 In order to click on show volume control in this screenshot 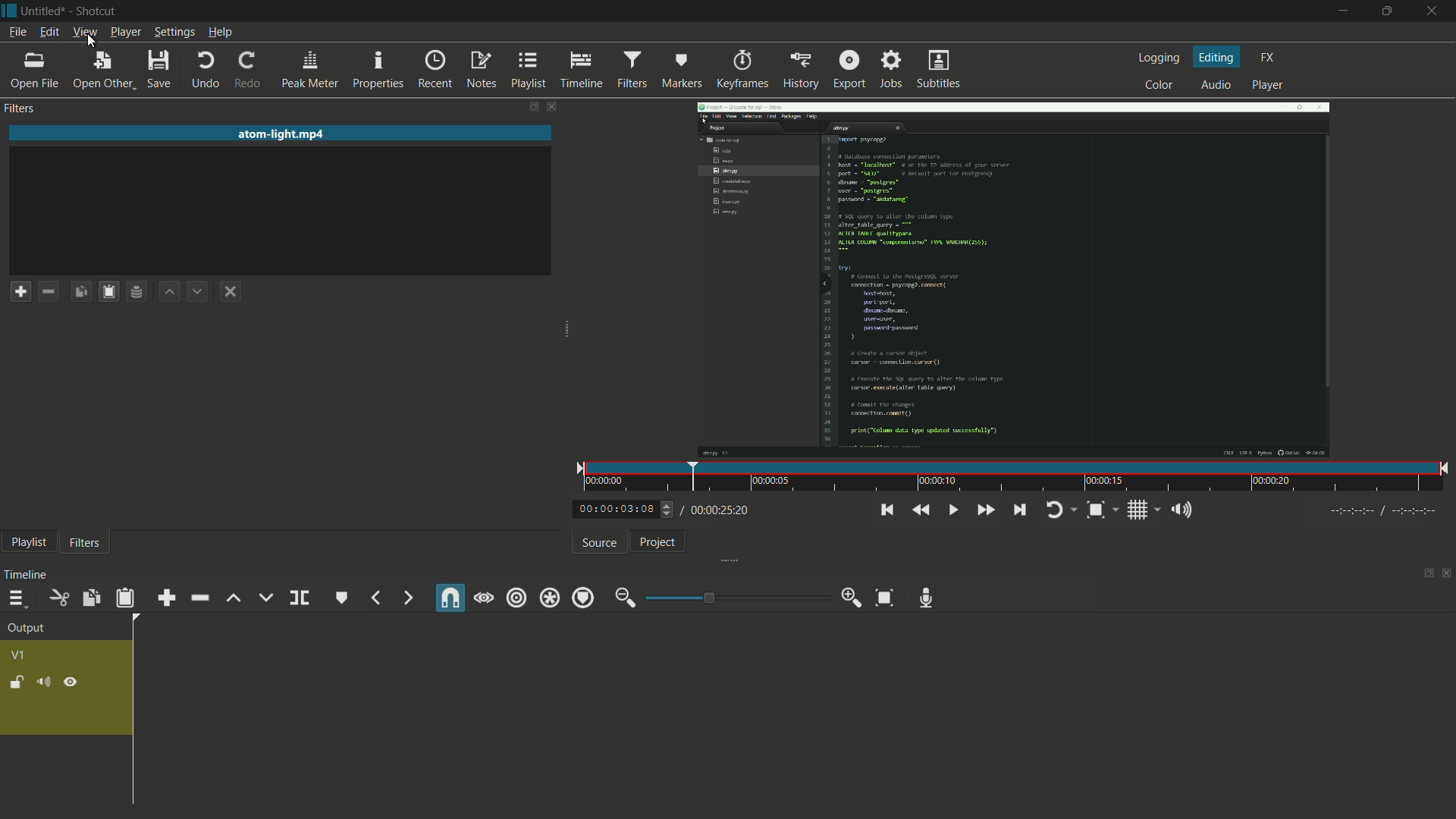, I will do `click(1181, 510)`.